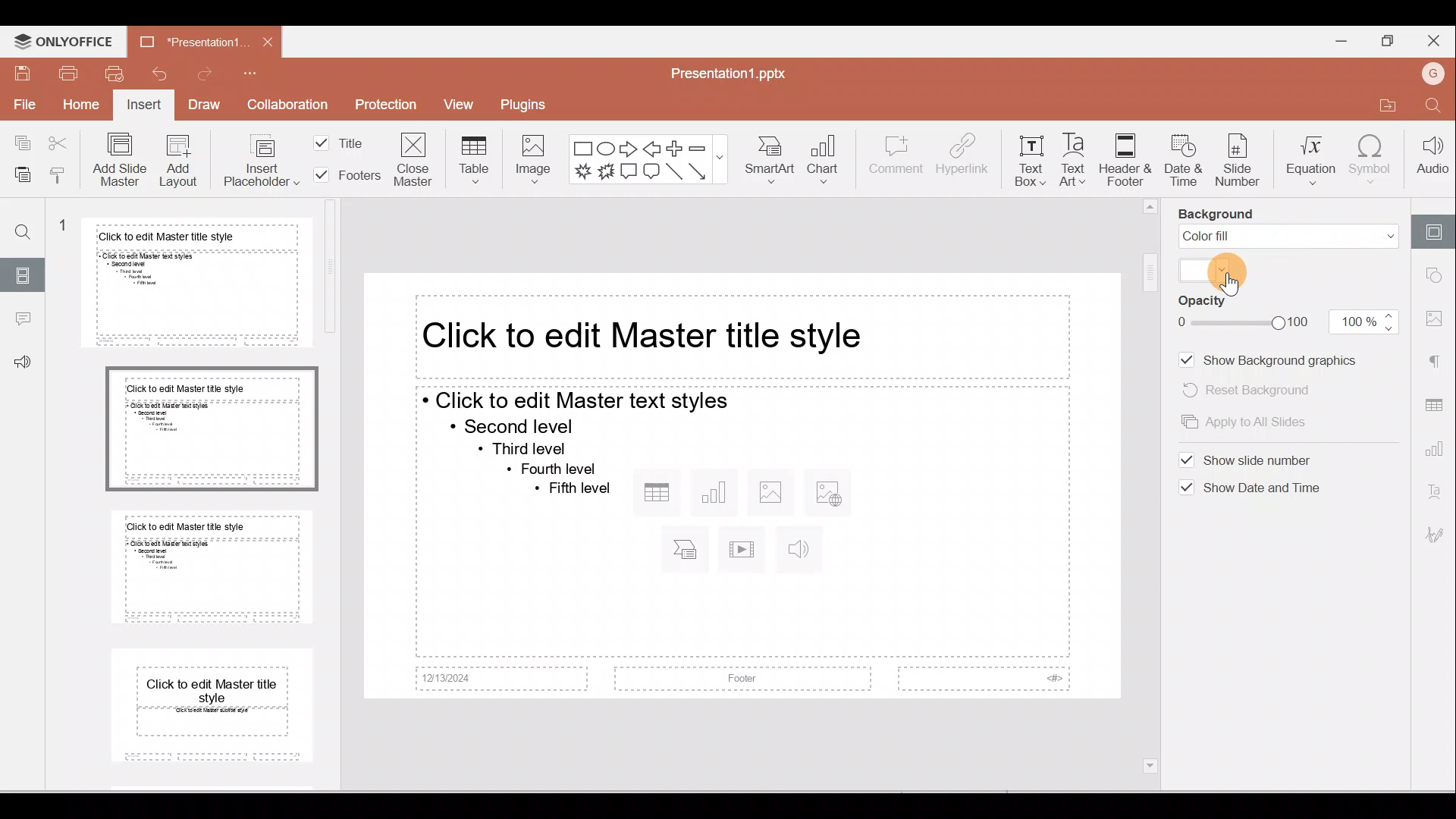 This screenshot has height=819, width=1456. Describe the element at coordinates (118, 160) in the screenshot. I see `Add slide master` at that location.